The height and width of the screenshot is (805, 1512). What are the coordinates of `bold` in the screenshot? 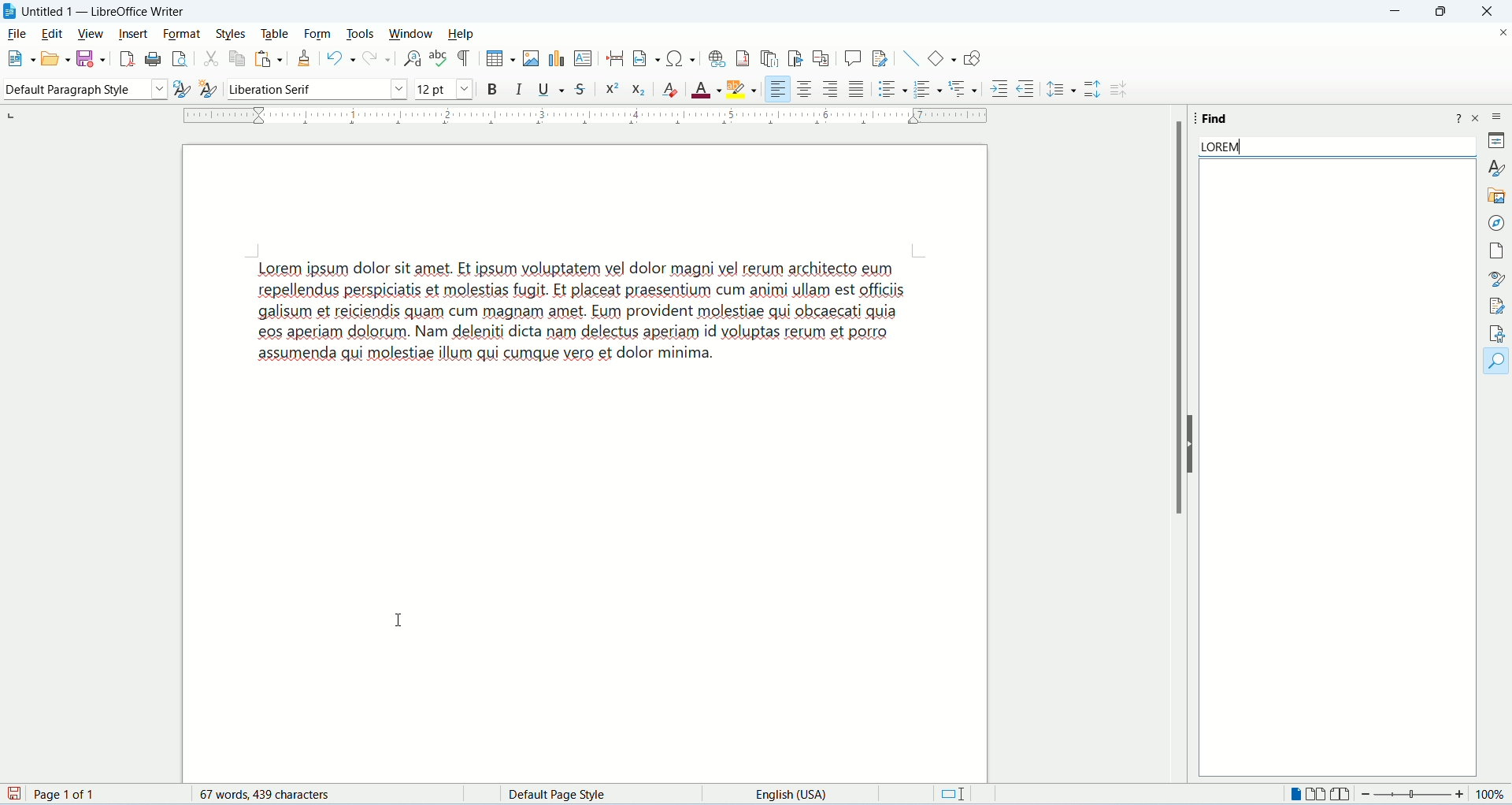 It's located at (489, 88).